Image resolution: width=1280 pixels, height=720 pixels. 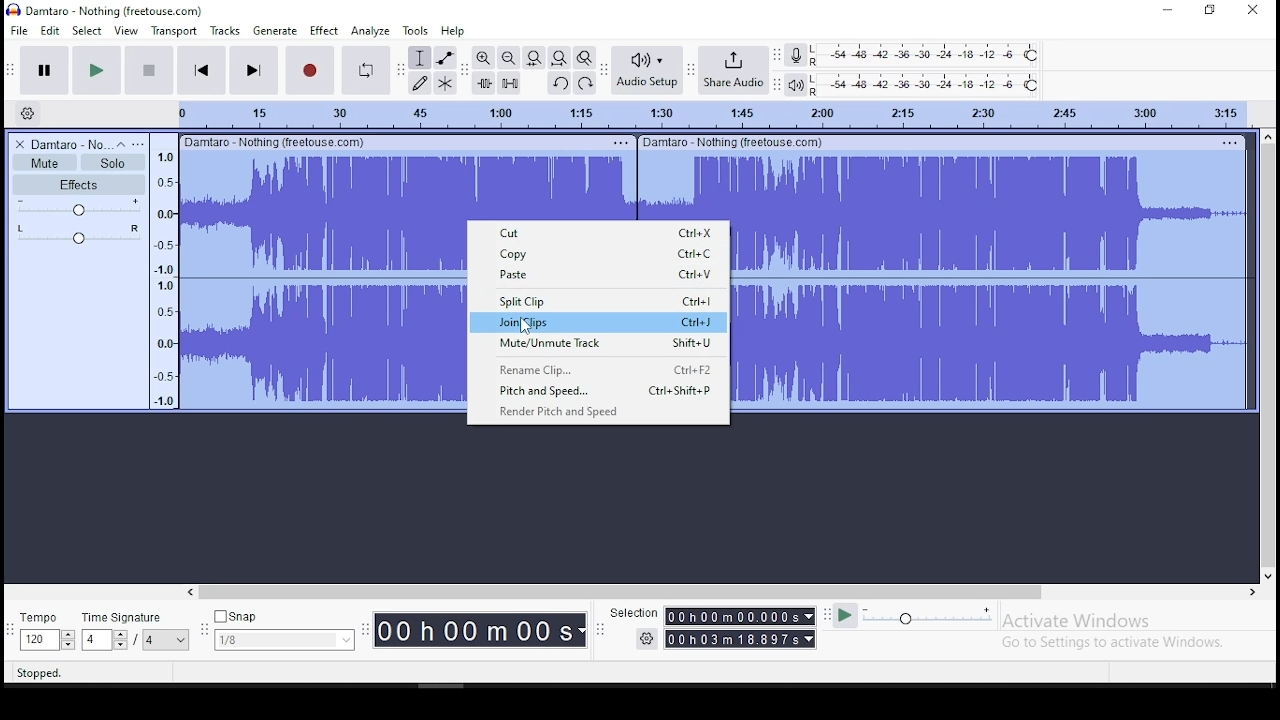 I want to click on toggle buttons, so click(x=106, y=640).